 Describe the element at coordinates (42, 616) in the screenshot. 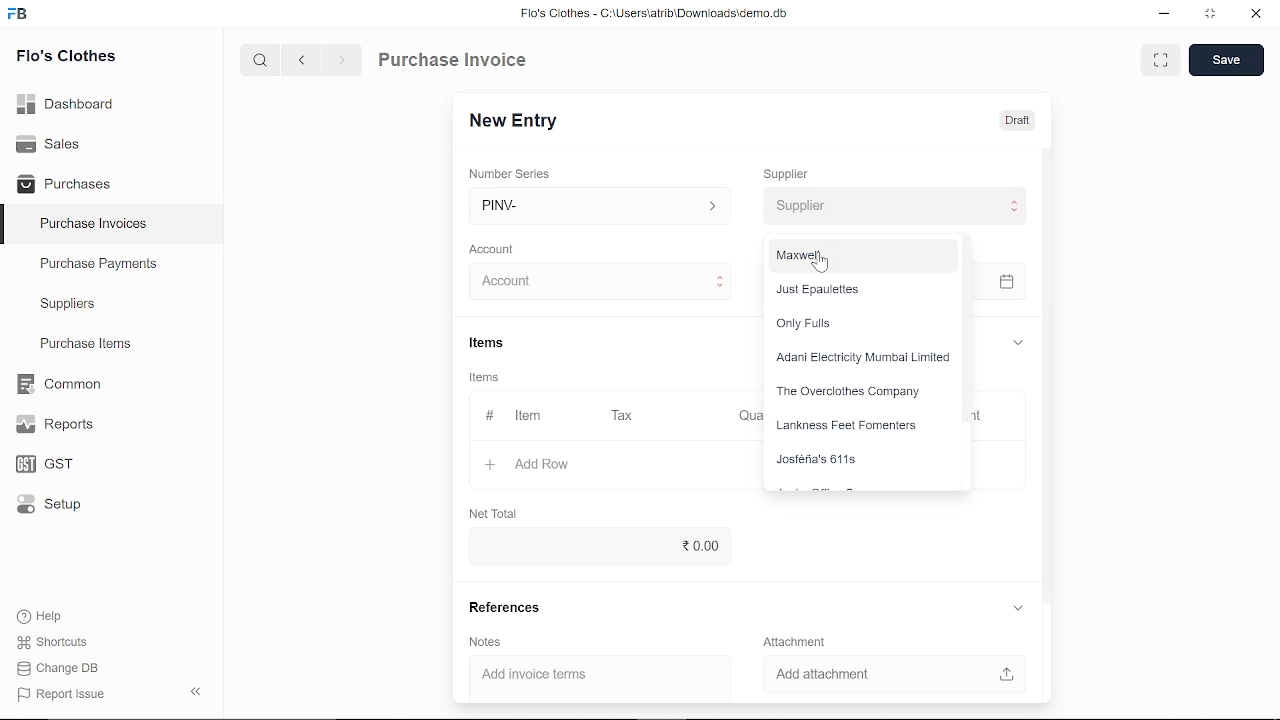

I see `Help` at that location.